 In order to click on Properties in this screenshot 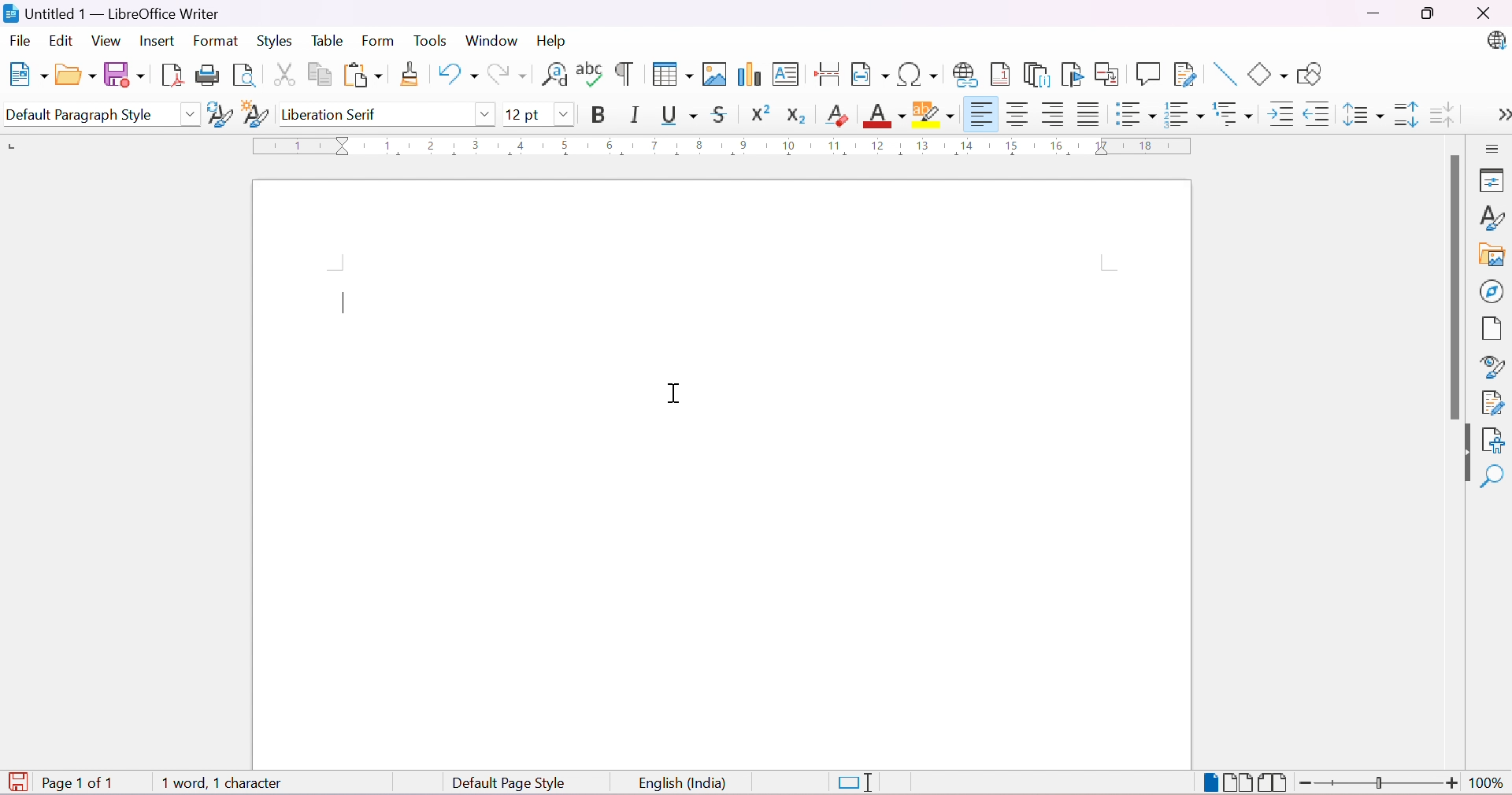, I will do `click(1493, 181)`.